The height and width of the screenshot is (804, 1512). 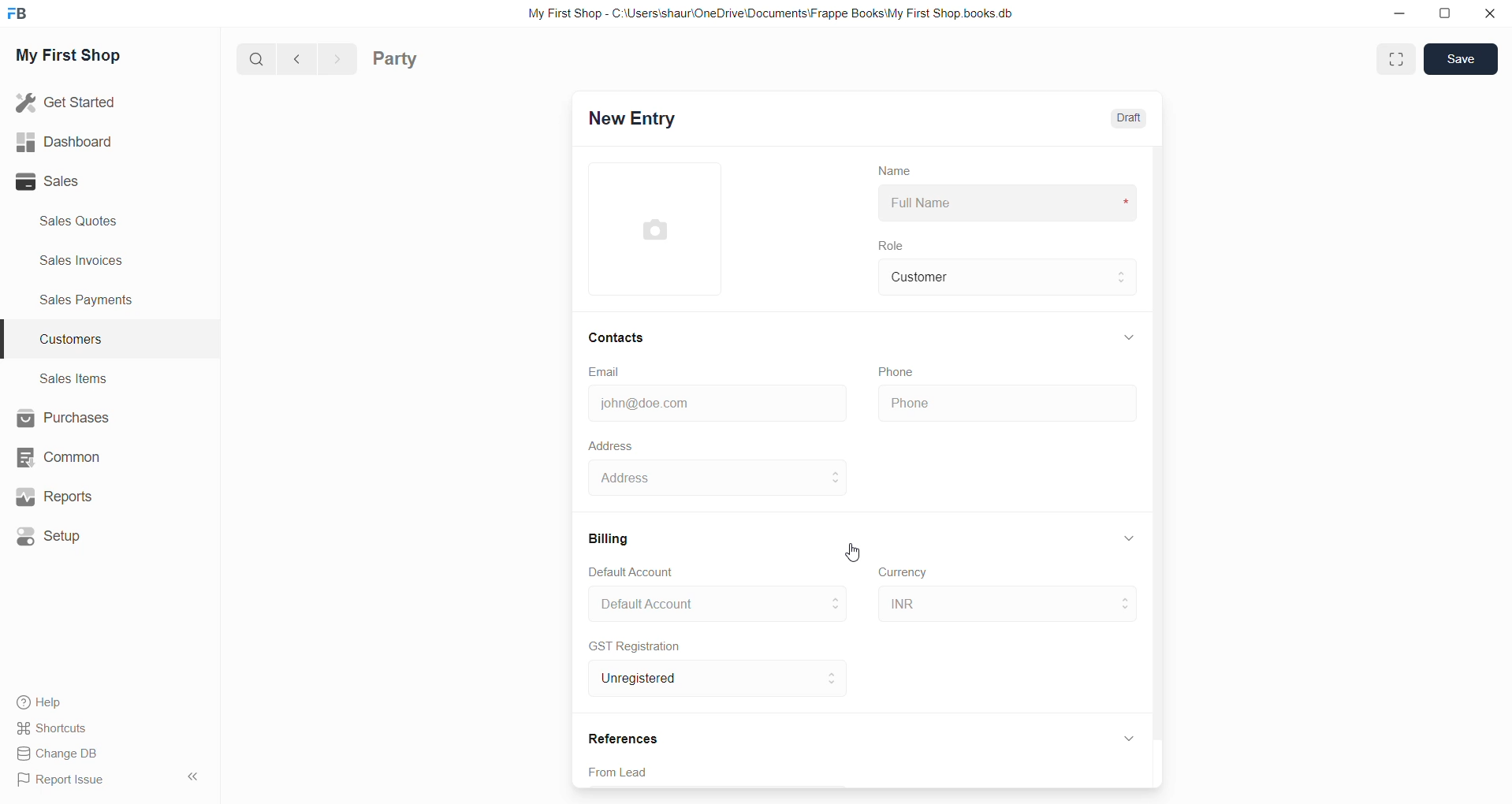 I want to click on select reference source, so click(x=868, y=773).